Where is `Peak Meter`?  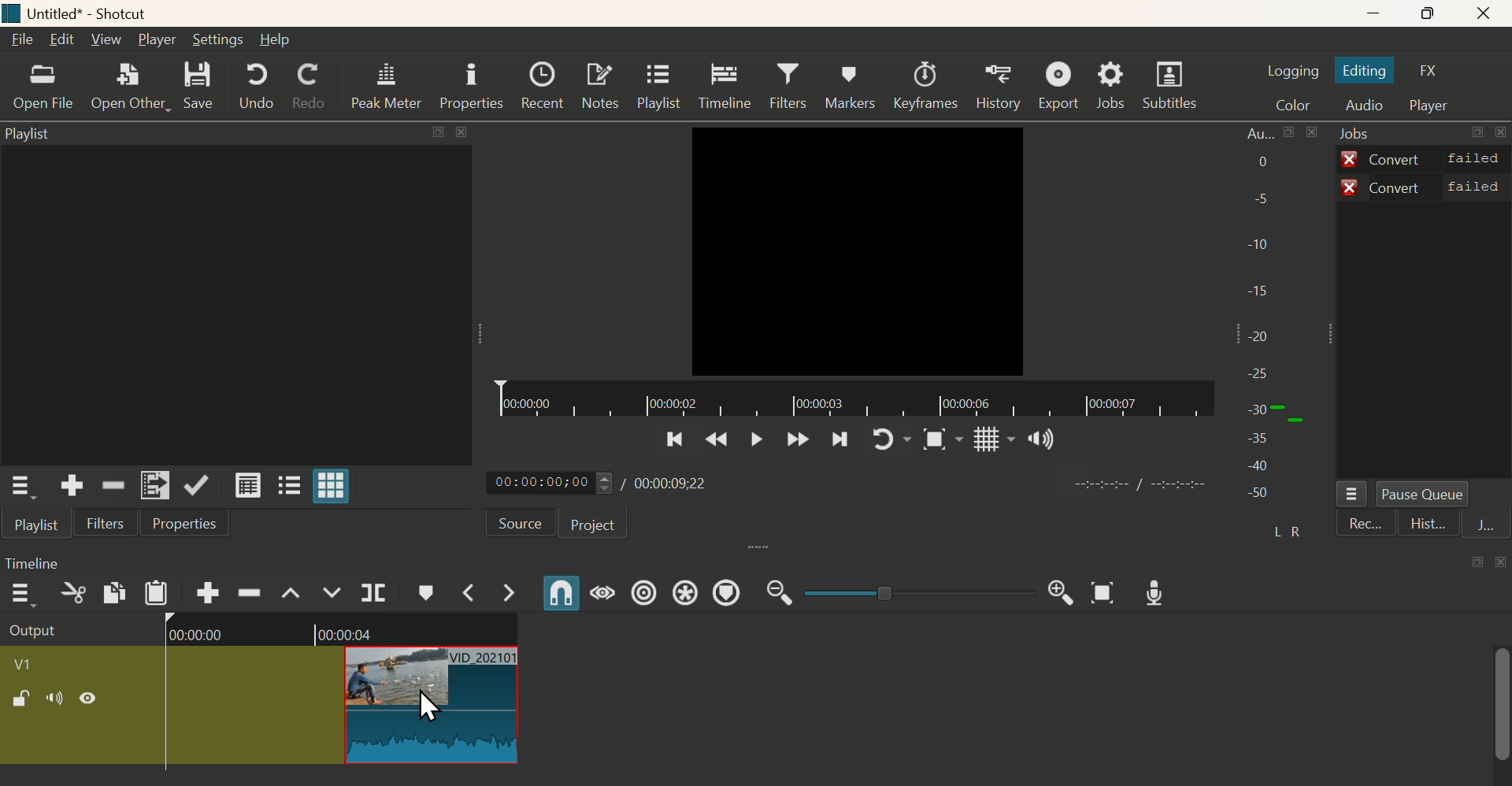
Peak Meter is located at coordinates (387, 85).